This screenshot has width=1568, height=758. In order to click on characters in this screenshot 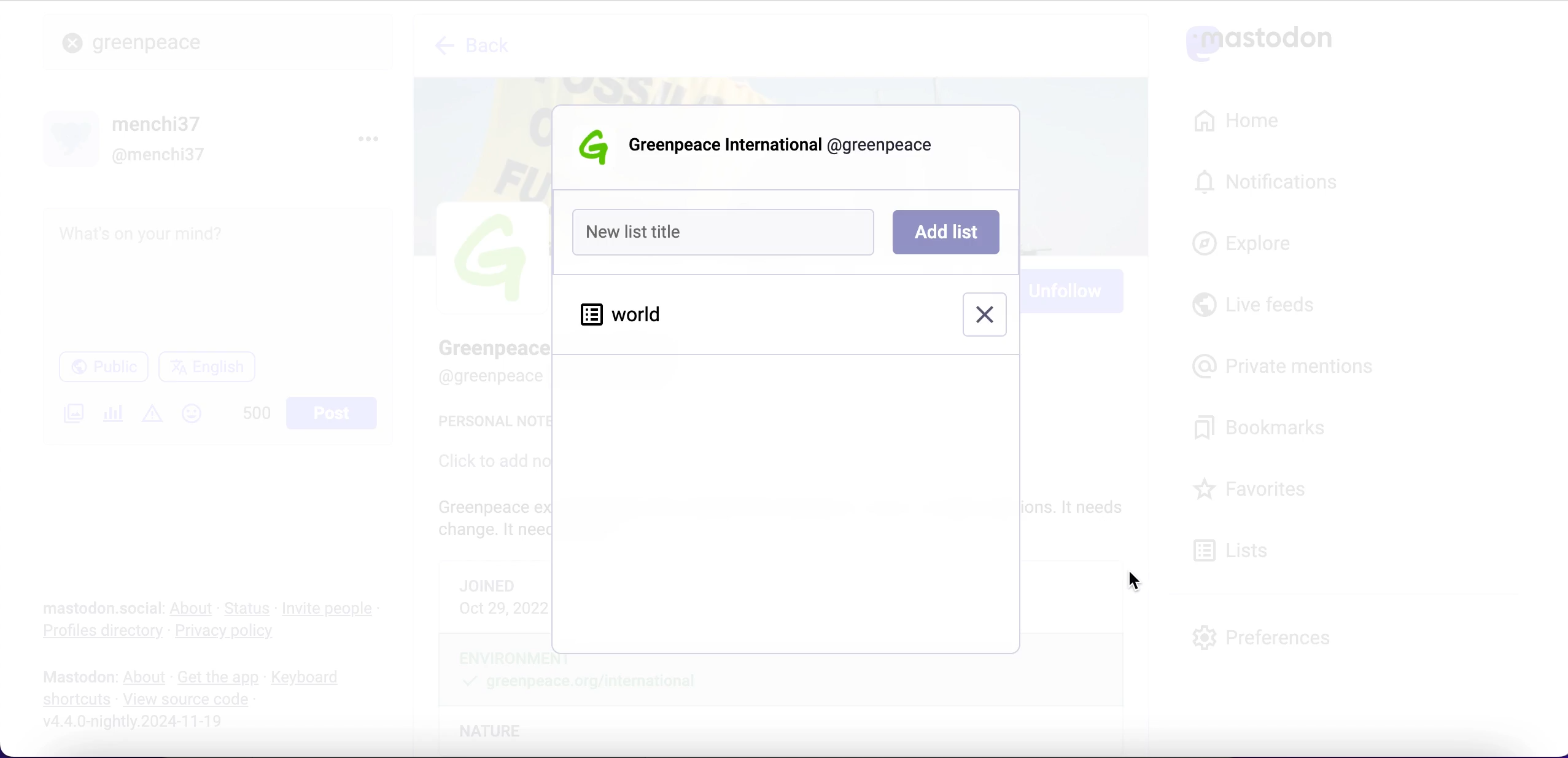, I will do `click(257, 415)`.